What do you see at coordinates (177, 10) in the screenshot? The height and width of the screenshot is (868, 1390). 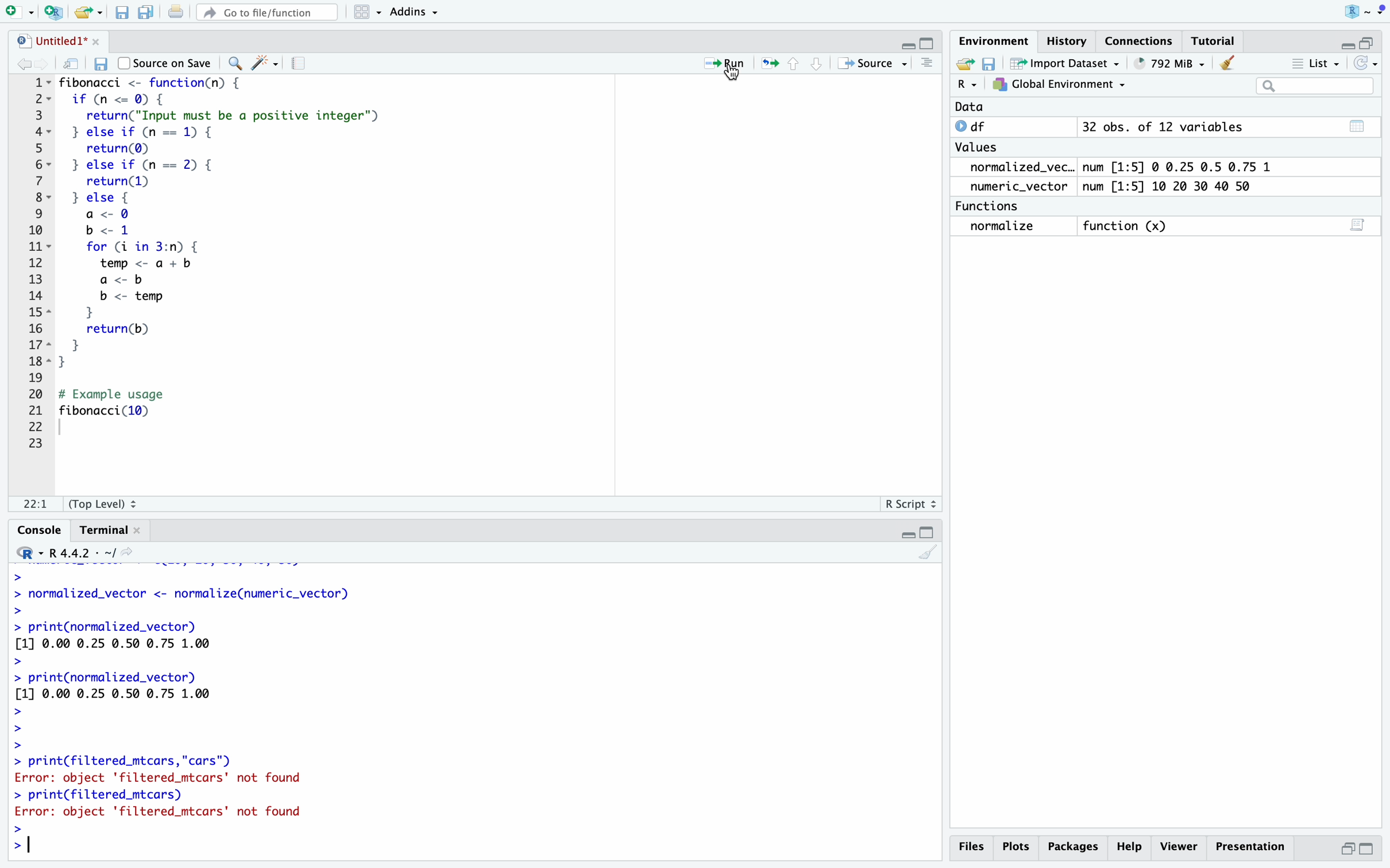 I see `print the current file` at bounding box center [177, 10].